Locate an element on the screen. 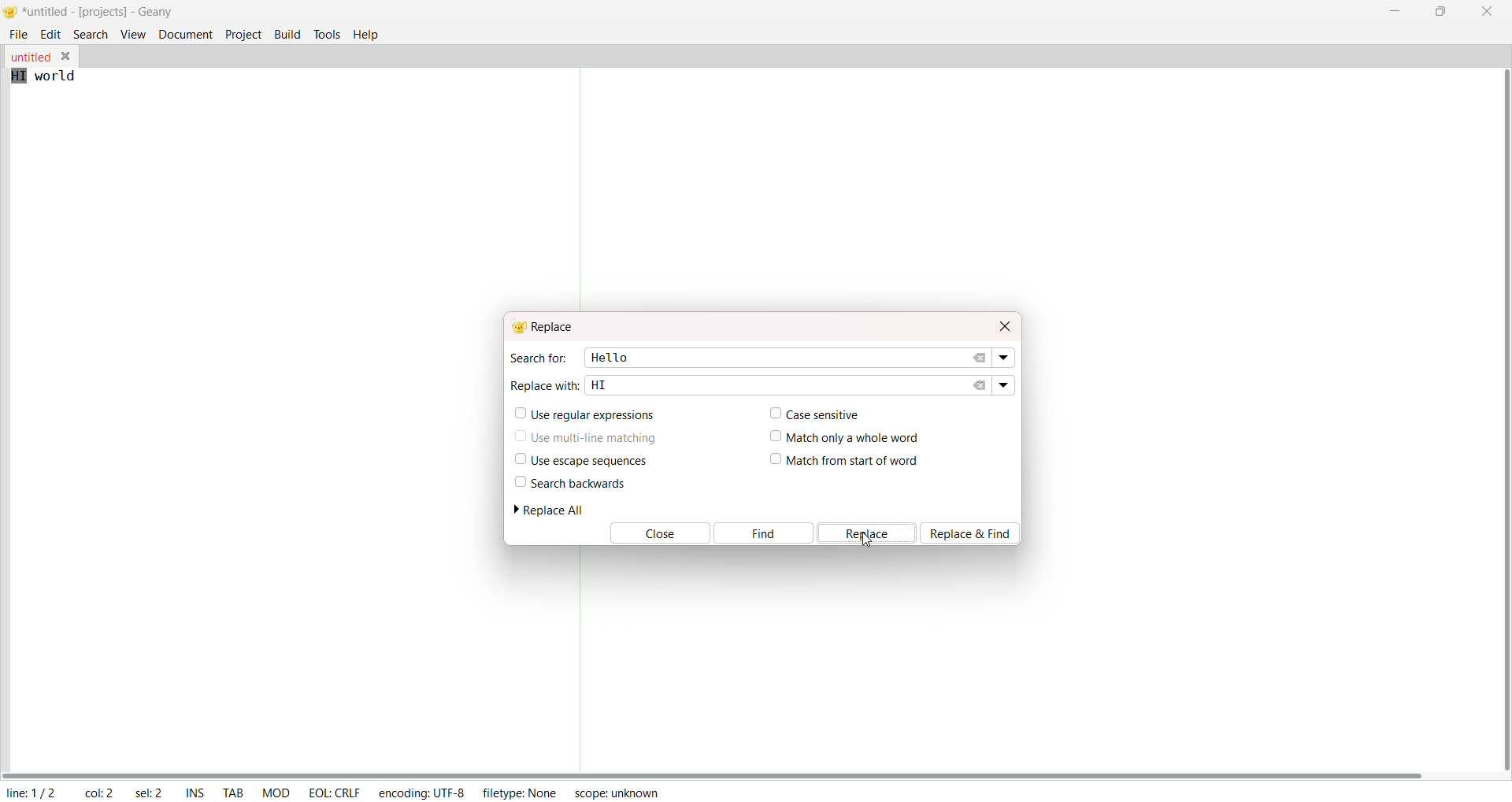 This screenshot has height=802, width=1512. file is located at coordinates (18, 33).